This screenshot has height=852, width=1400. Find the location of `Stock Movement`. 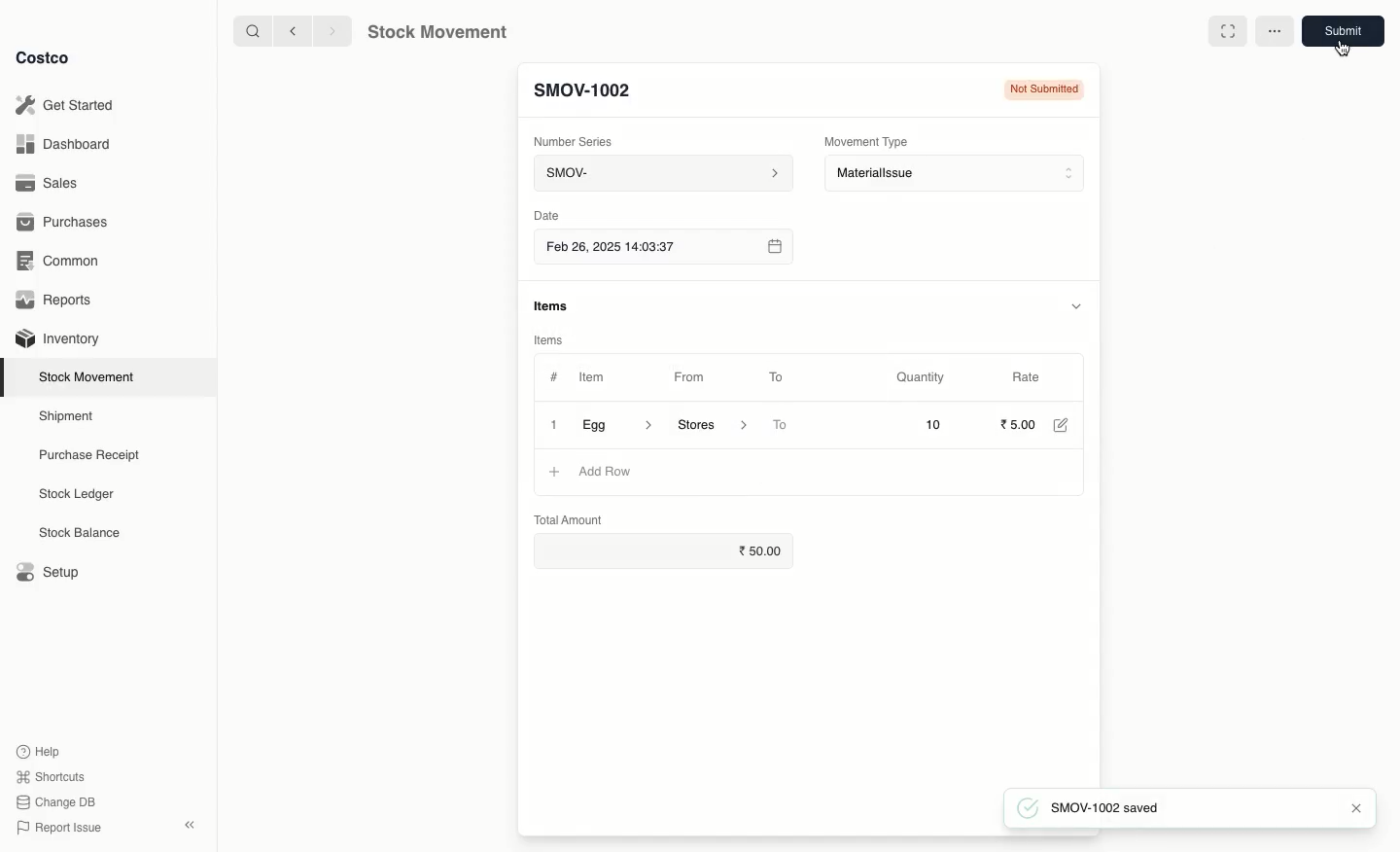

Stock Movement is located at coordinates (434, 32).